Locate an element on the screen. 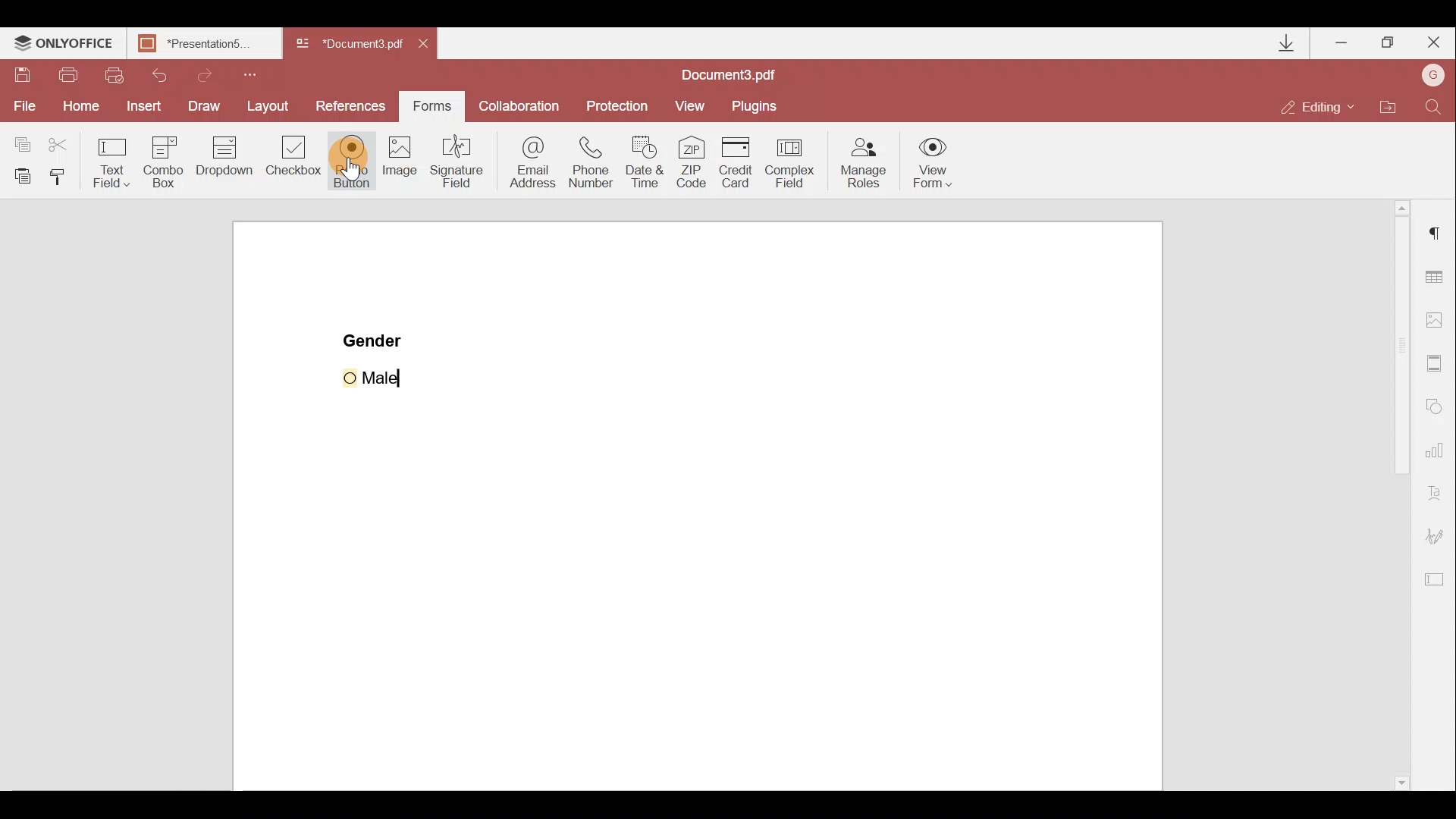  Dropdown is located at coordinates (224, 163).